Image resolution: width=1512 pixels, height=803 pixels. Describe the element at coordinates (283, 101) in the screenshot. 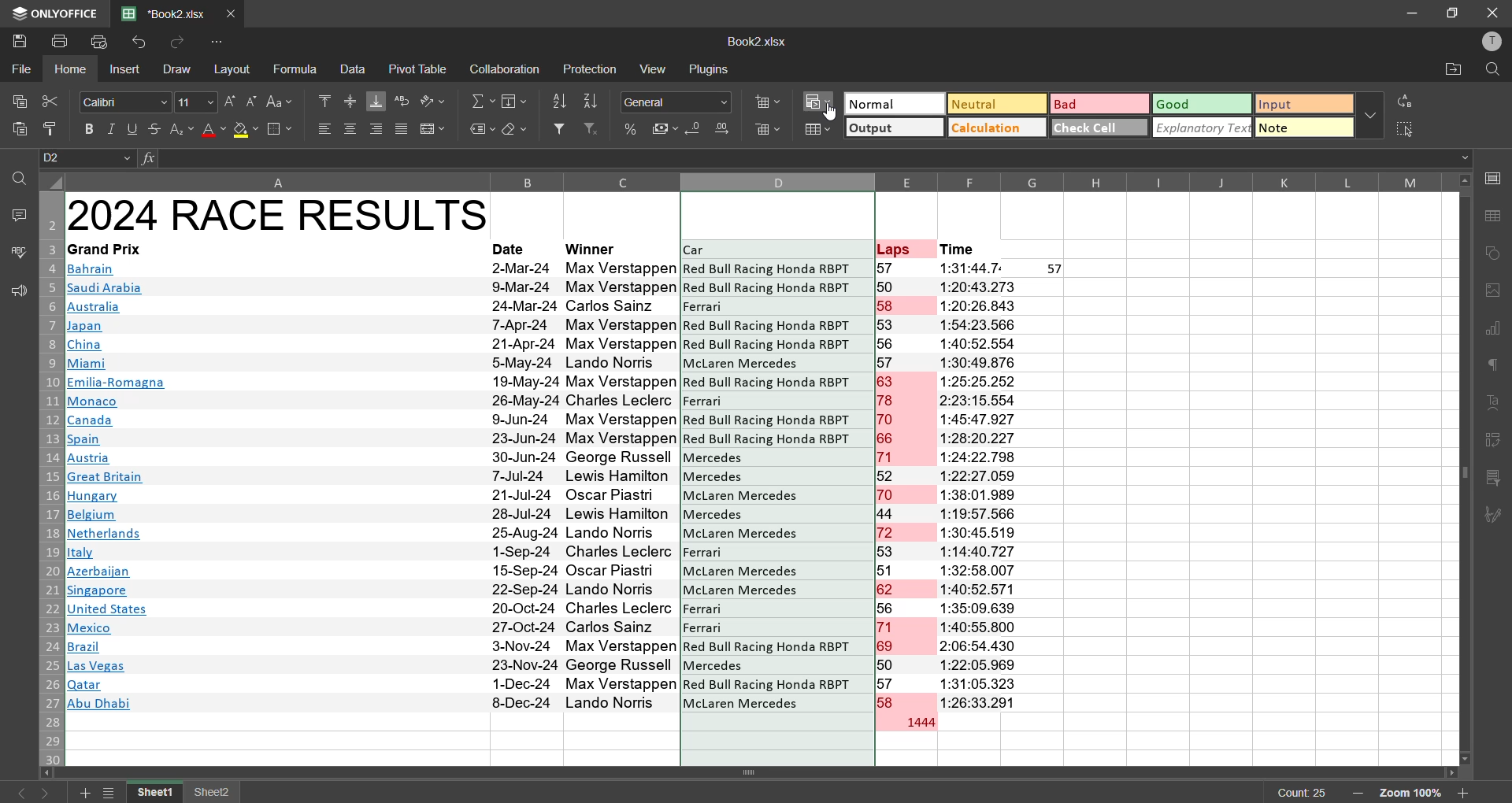

I see `change case` at that location.